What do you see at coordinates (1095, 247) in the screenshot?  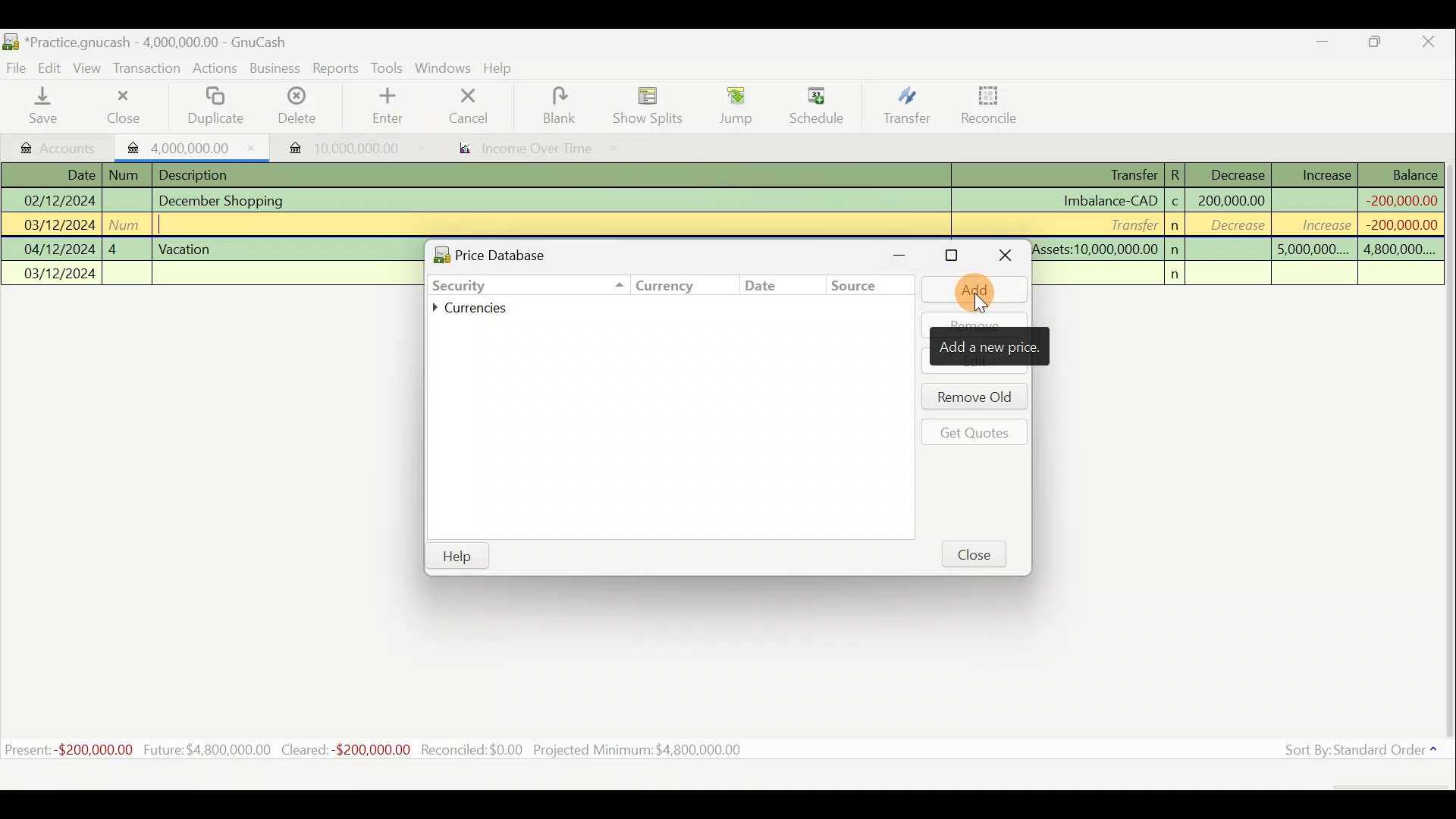 I see `Assets:10,000,000.00` at bounding box center [1095, 247].